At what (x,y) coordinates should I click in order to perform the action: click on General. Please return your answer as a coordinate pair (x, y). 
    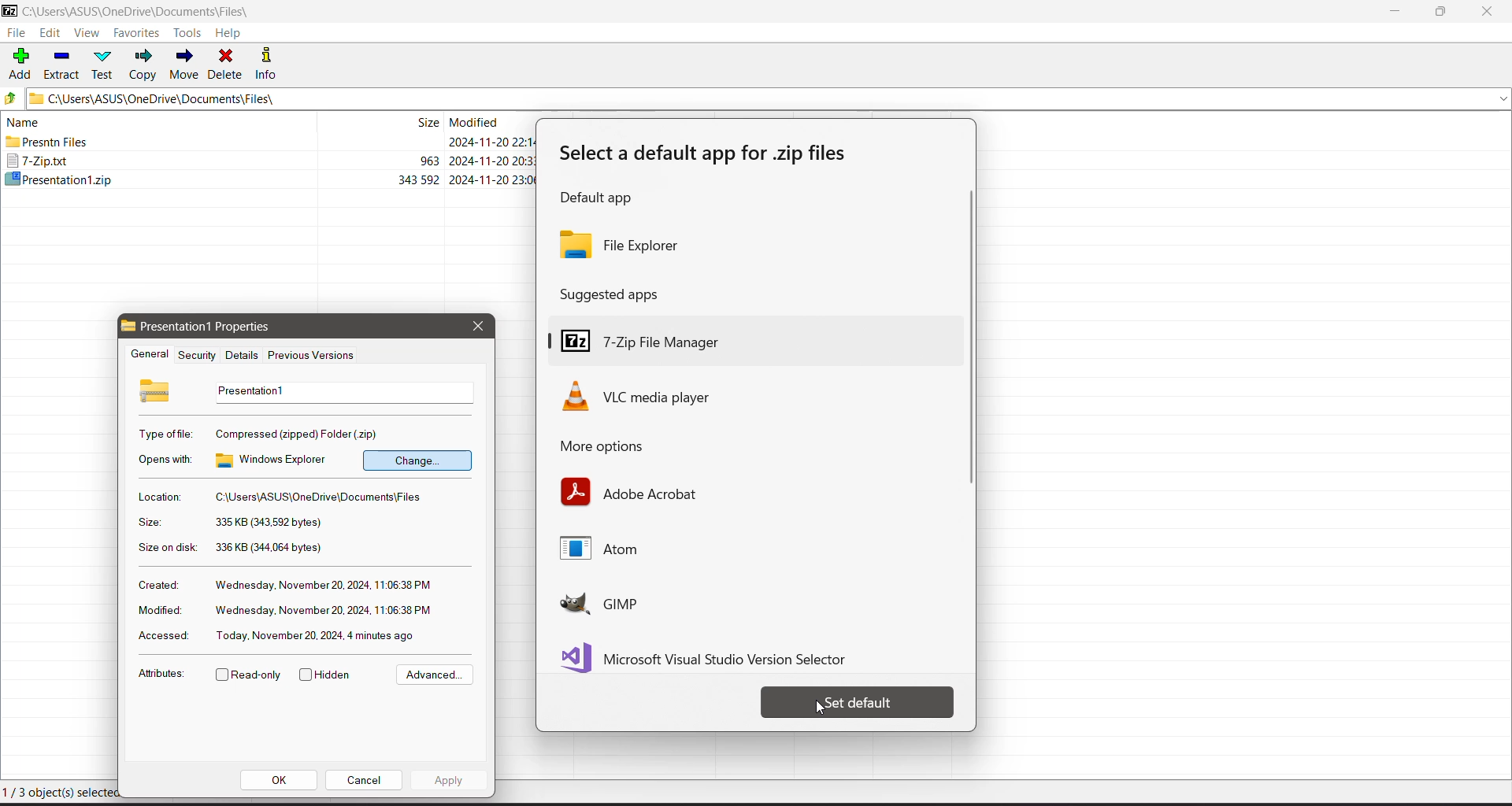
    Looking at the image, I should click on (147, 355).